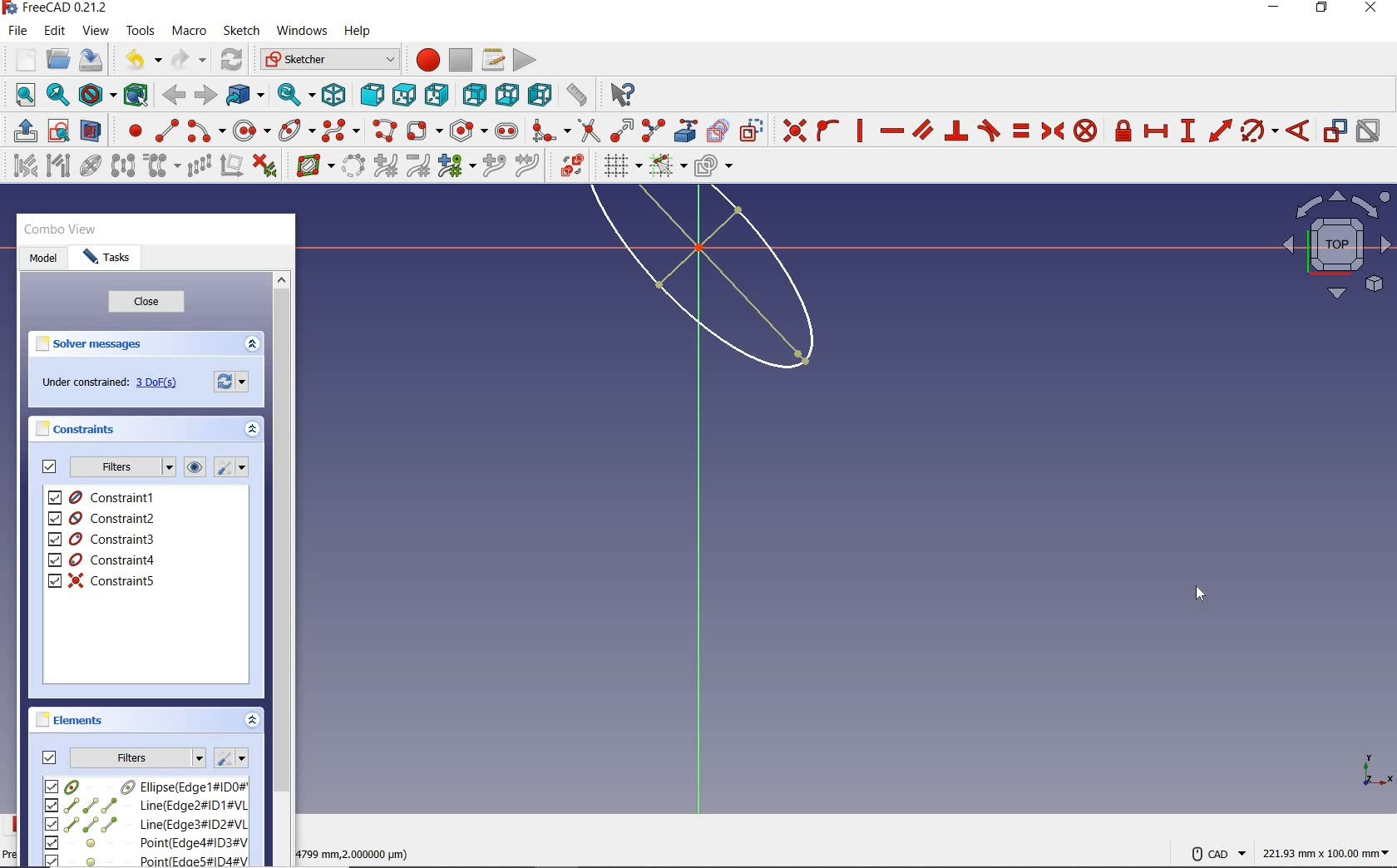 The height and width of the screenshot is (868, 1397). I want to click on split edge, so click(654, 130).